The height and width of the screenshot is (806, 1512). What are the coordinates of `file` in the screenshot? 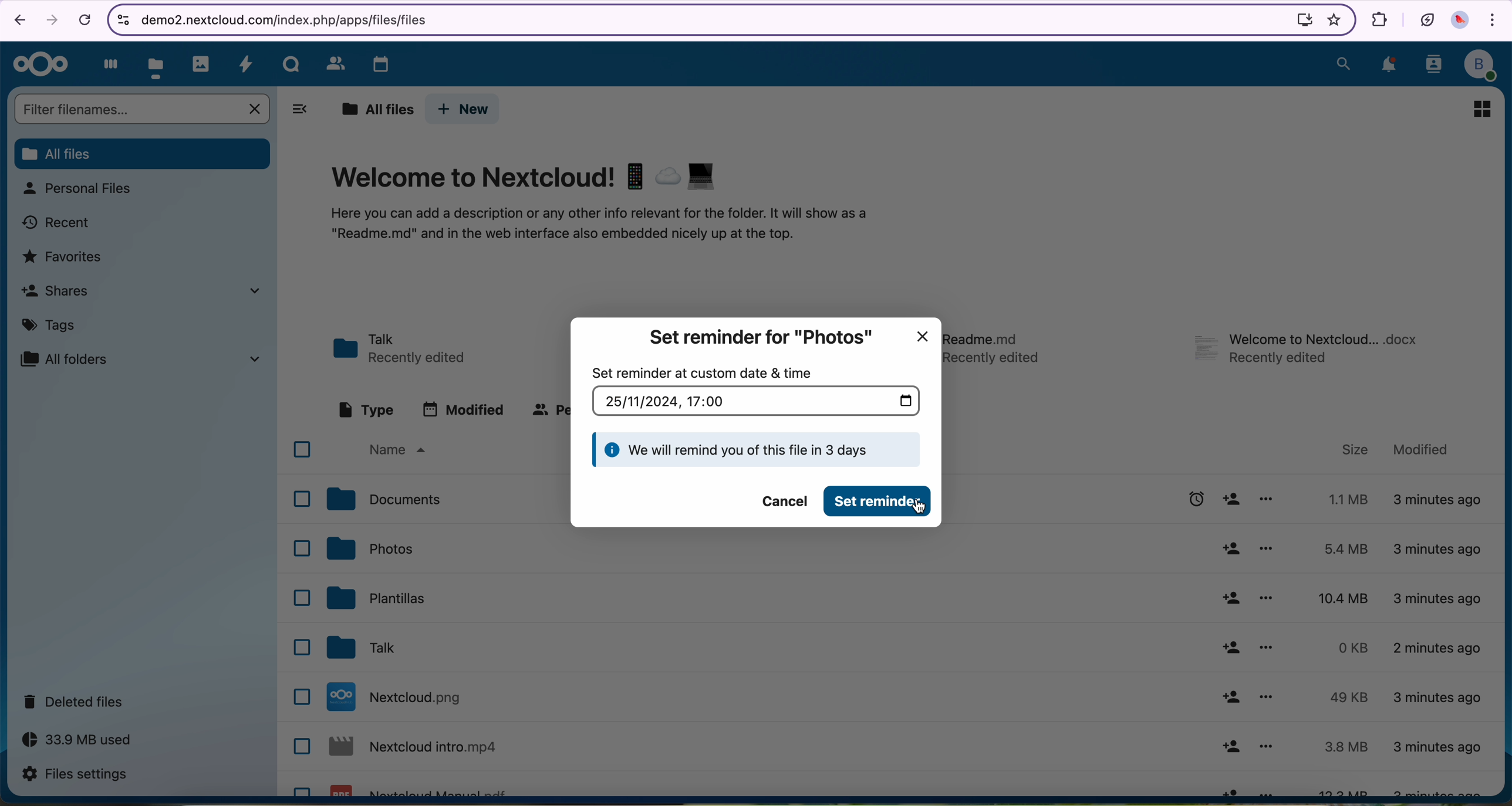 It's located at (997, 344).